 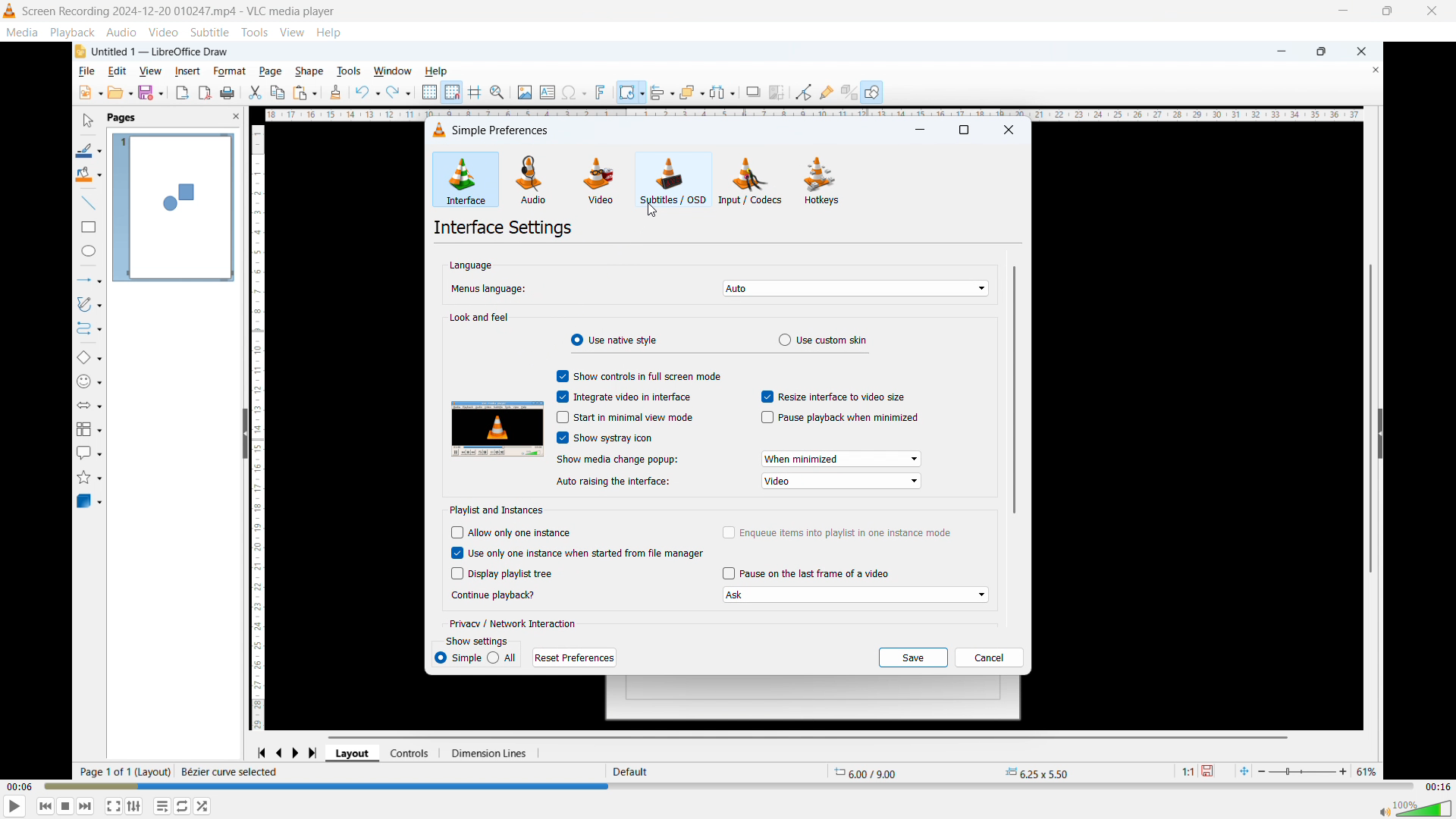 What do you see at coordinates (291, 32) in the screenshot?
I see `view ` at bounding box center [291, 32].